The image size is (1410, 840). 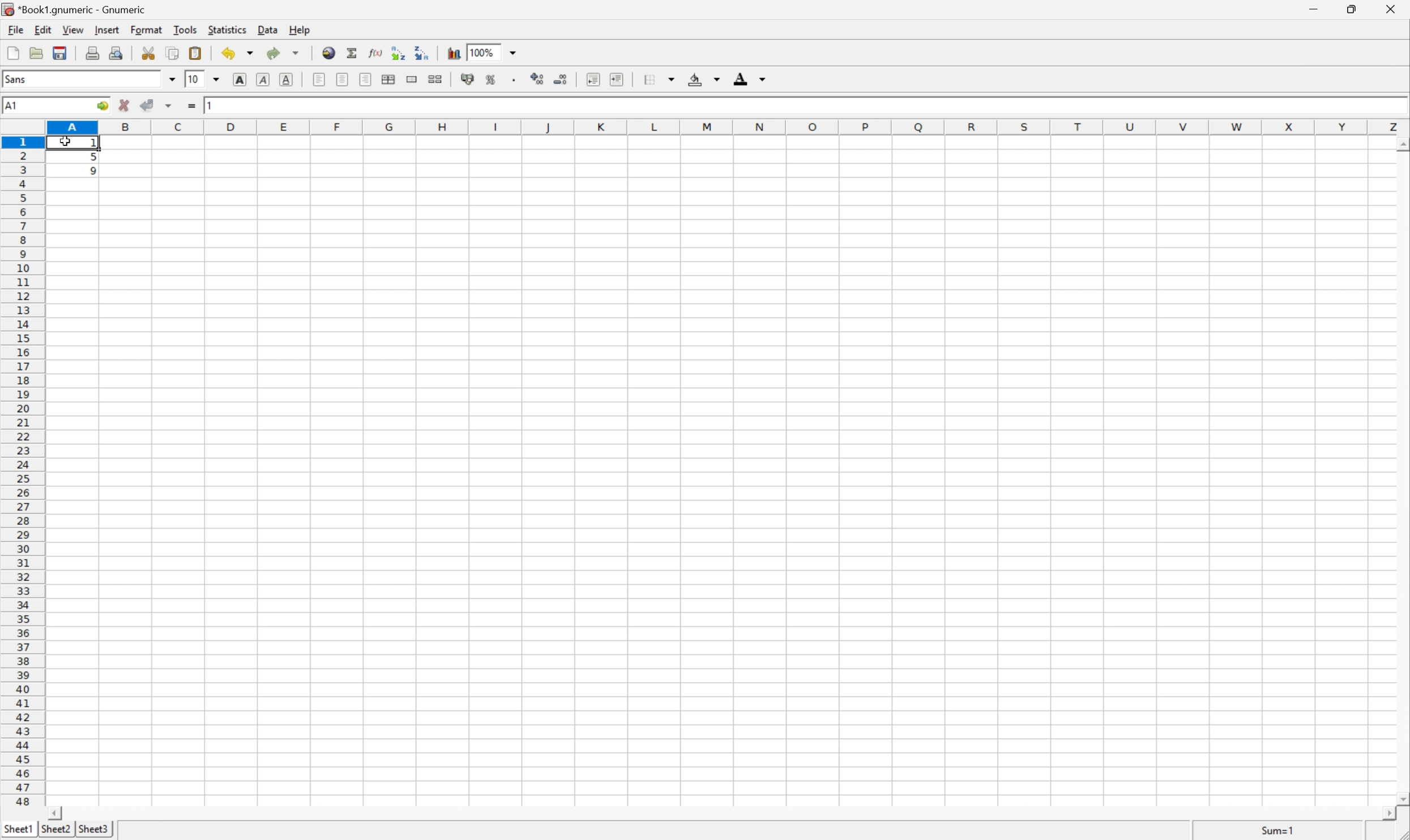 I want to click on print preview, so click(x=116, y=52).